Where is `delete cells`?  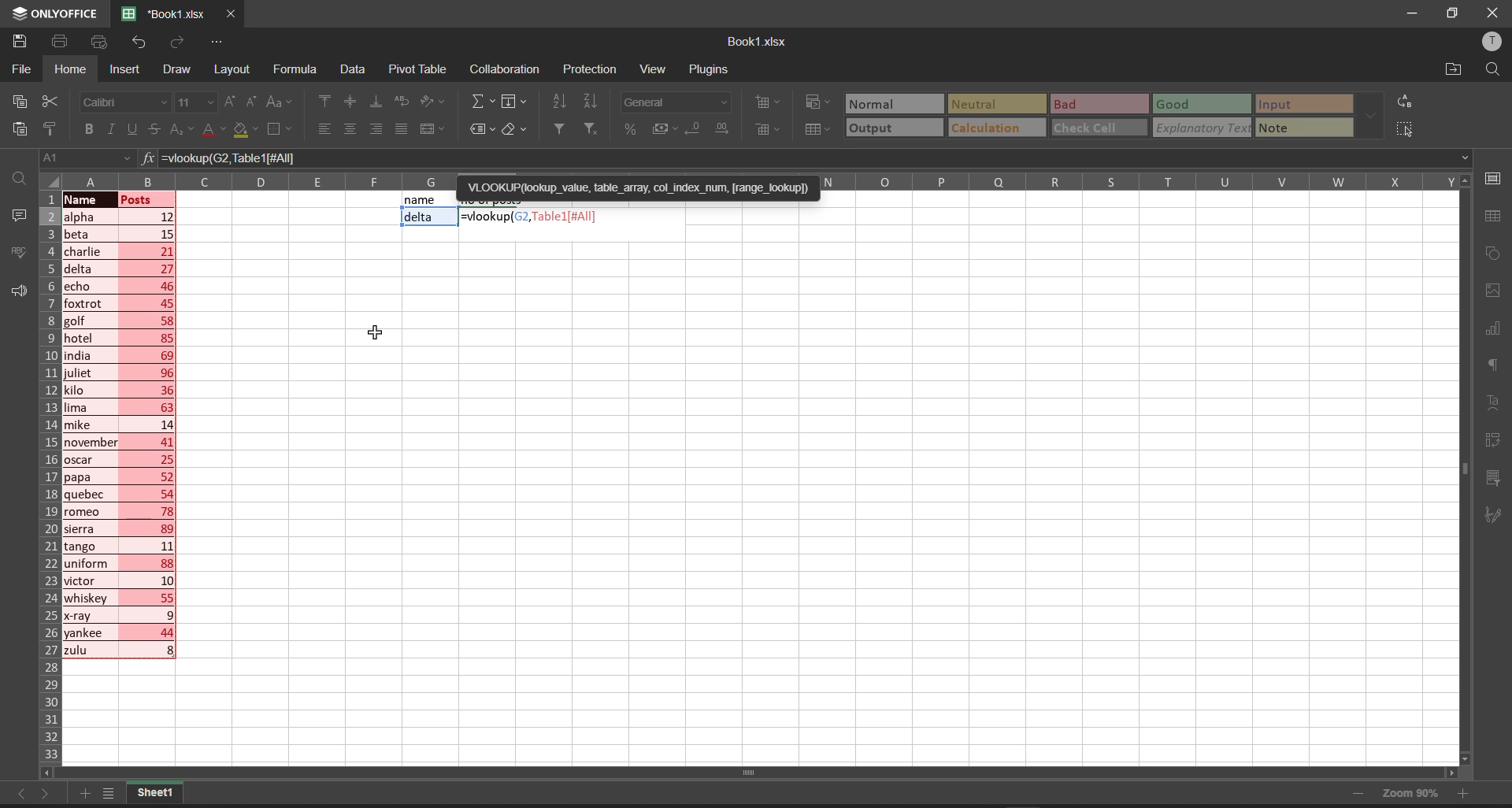
delete cells is located at coordinates (765, 128).